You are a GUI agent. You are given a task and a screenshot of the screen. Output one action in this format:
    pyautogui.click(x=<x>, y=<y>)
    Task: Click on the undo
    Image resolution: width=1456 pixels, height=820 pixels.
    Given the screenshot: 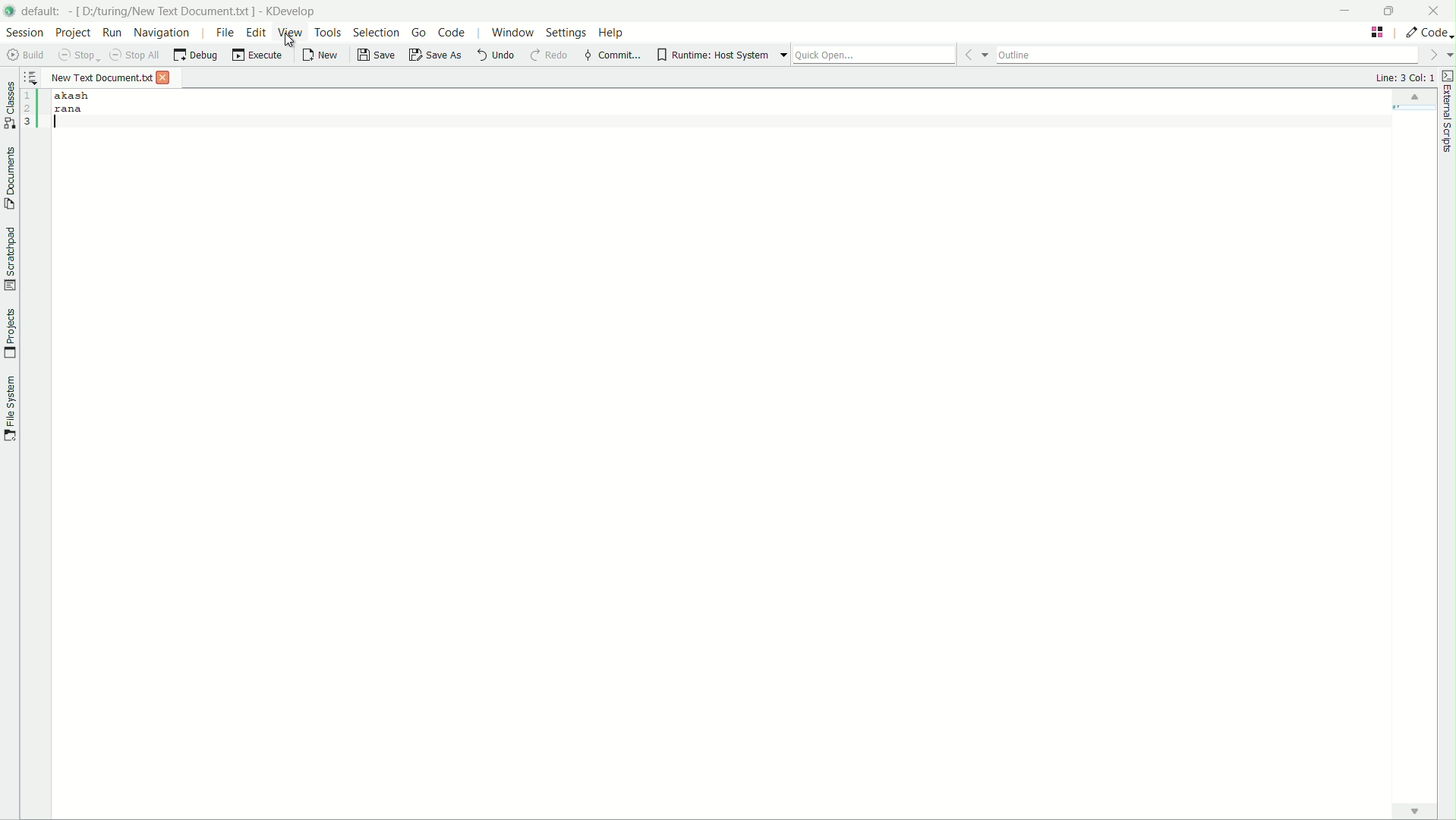 What is the action you would take?
    pyautogui.click(x=496, y=56)
    